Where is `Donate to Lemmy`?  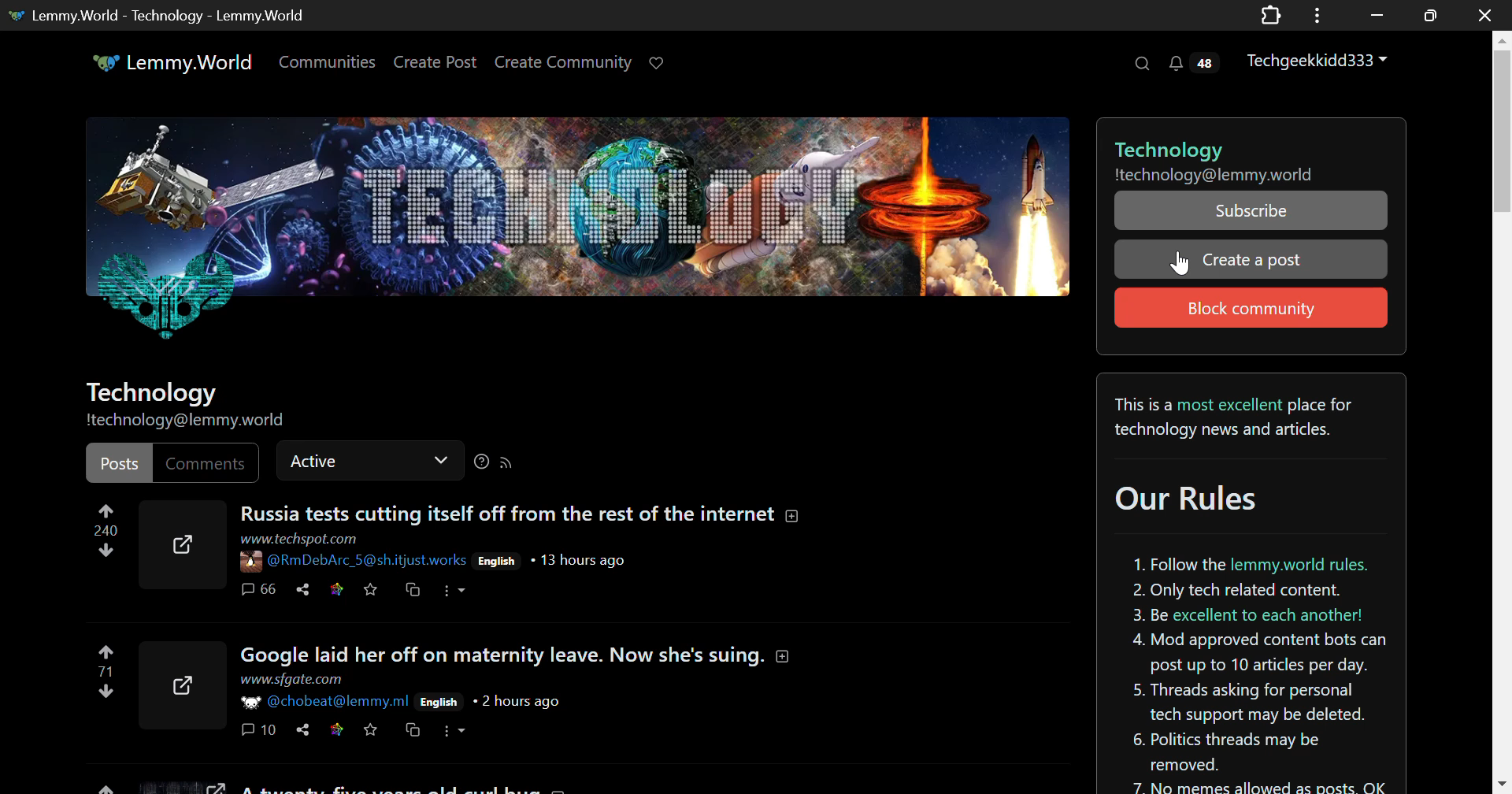
Donate to Lemmy is located at coordinates (658, 64).